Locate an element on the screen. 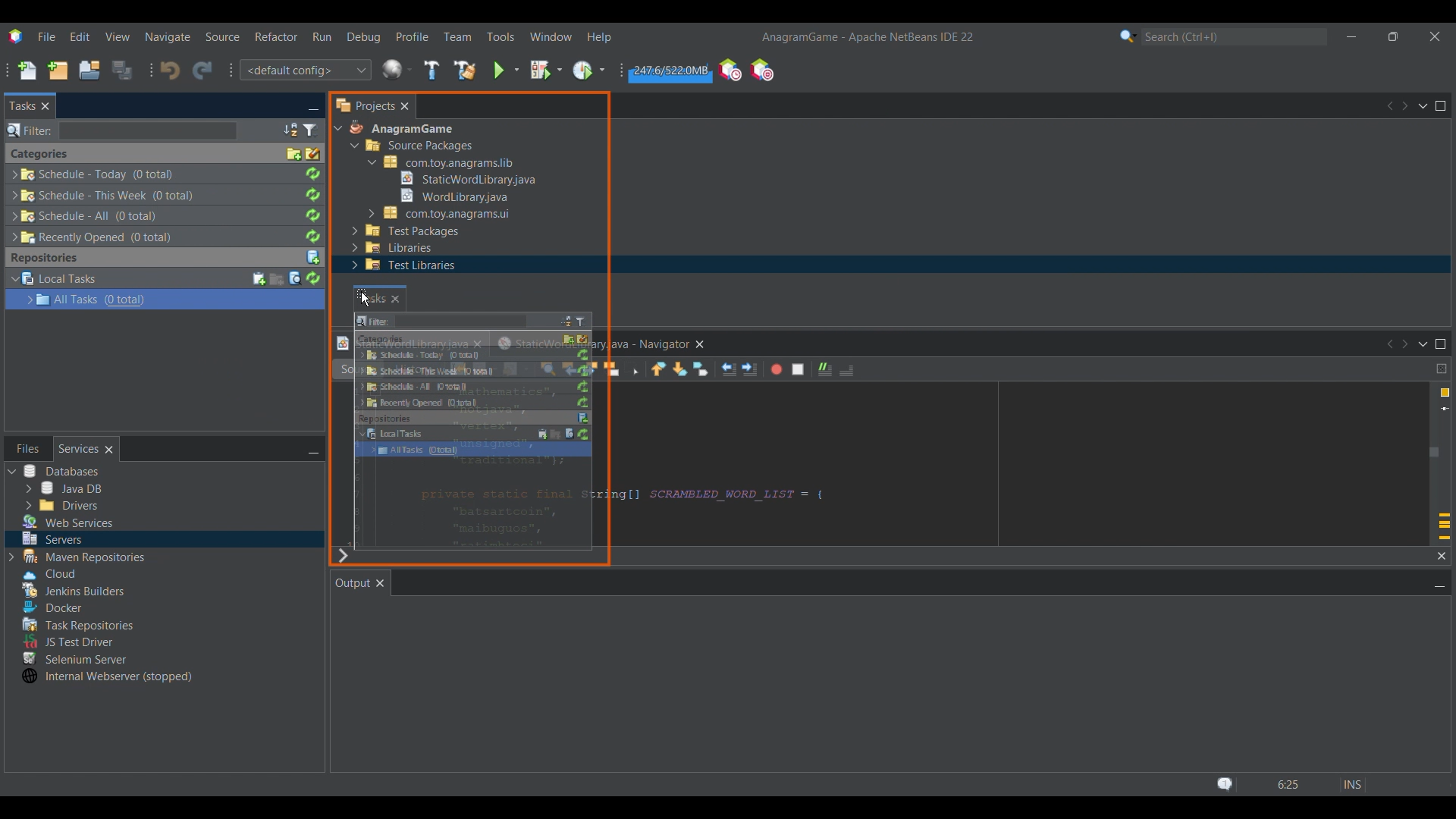  New file is located at coordinates (27, 71).